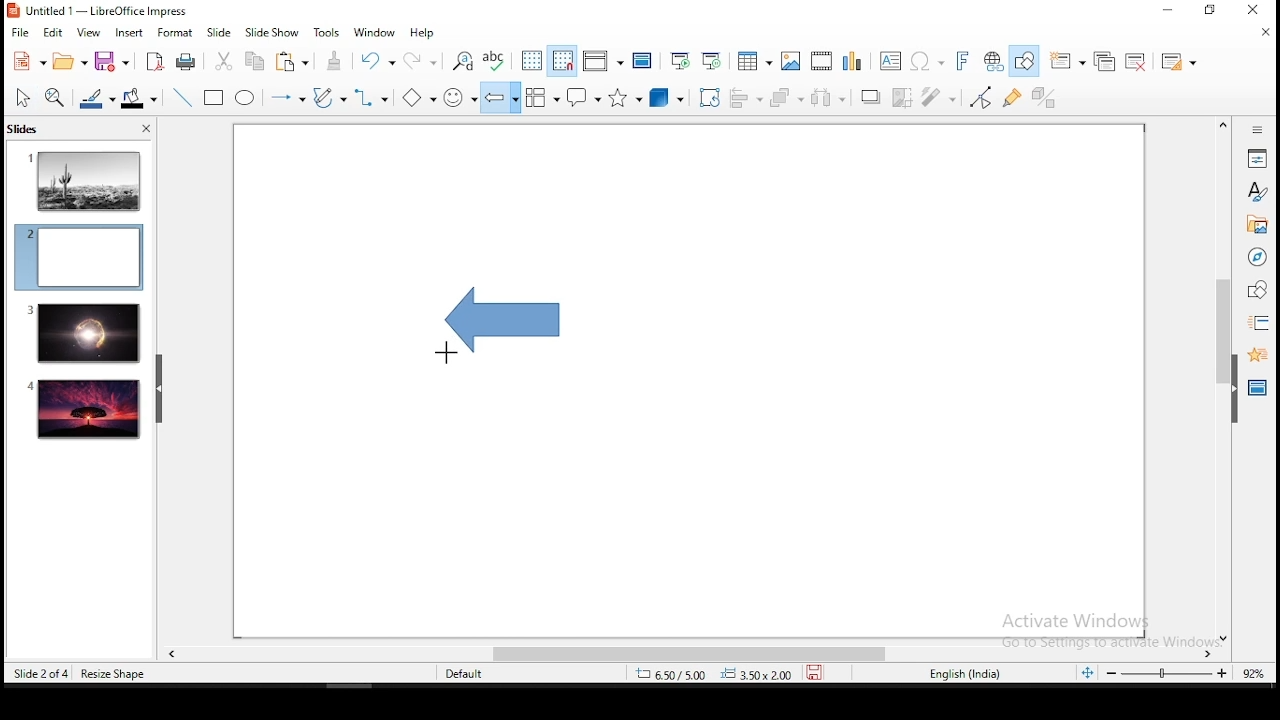  What do you see at coordinates (543, 99) in the screenshot?
I see `flowchart` at bounding box center [543, 99].